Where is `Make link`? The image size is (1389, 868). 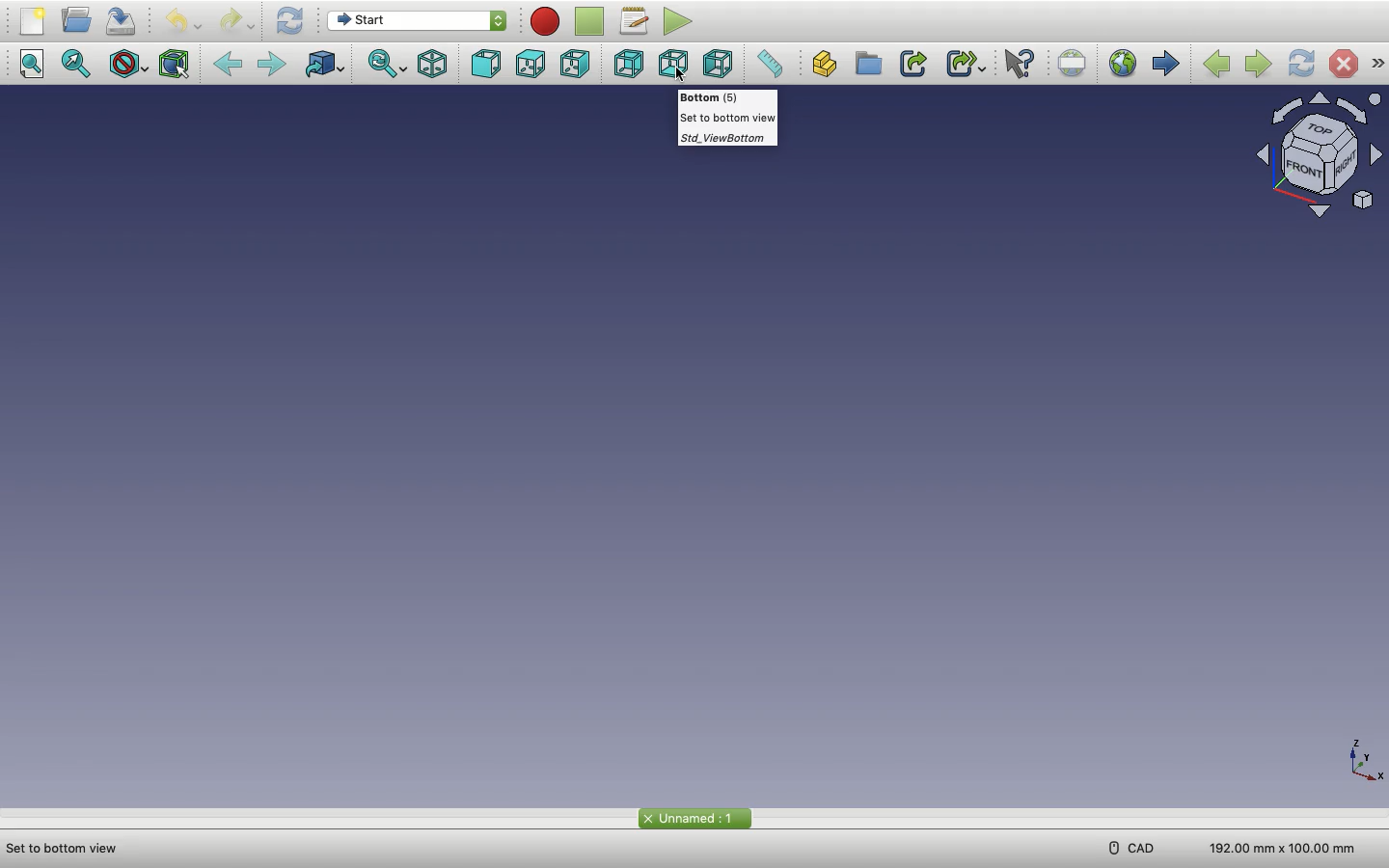
Make link is located at coordinates (912, 64).